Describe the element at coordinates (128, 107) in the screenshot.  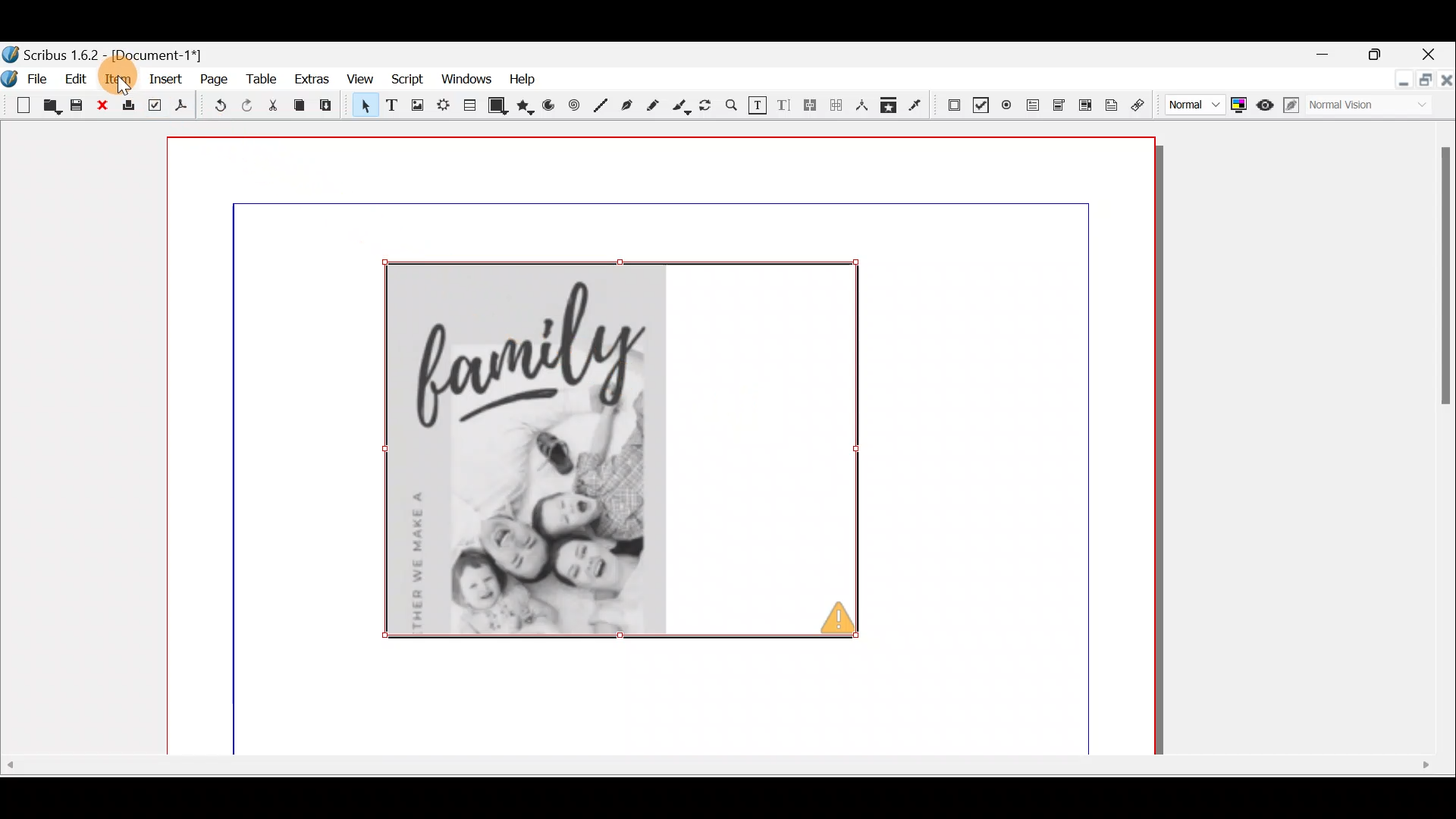
I see `Print` at that location.